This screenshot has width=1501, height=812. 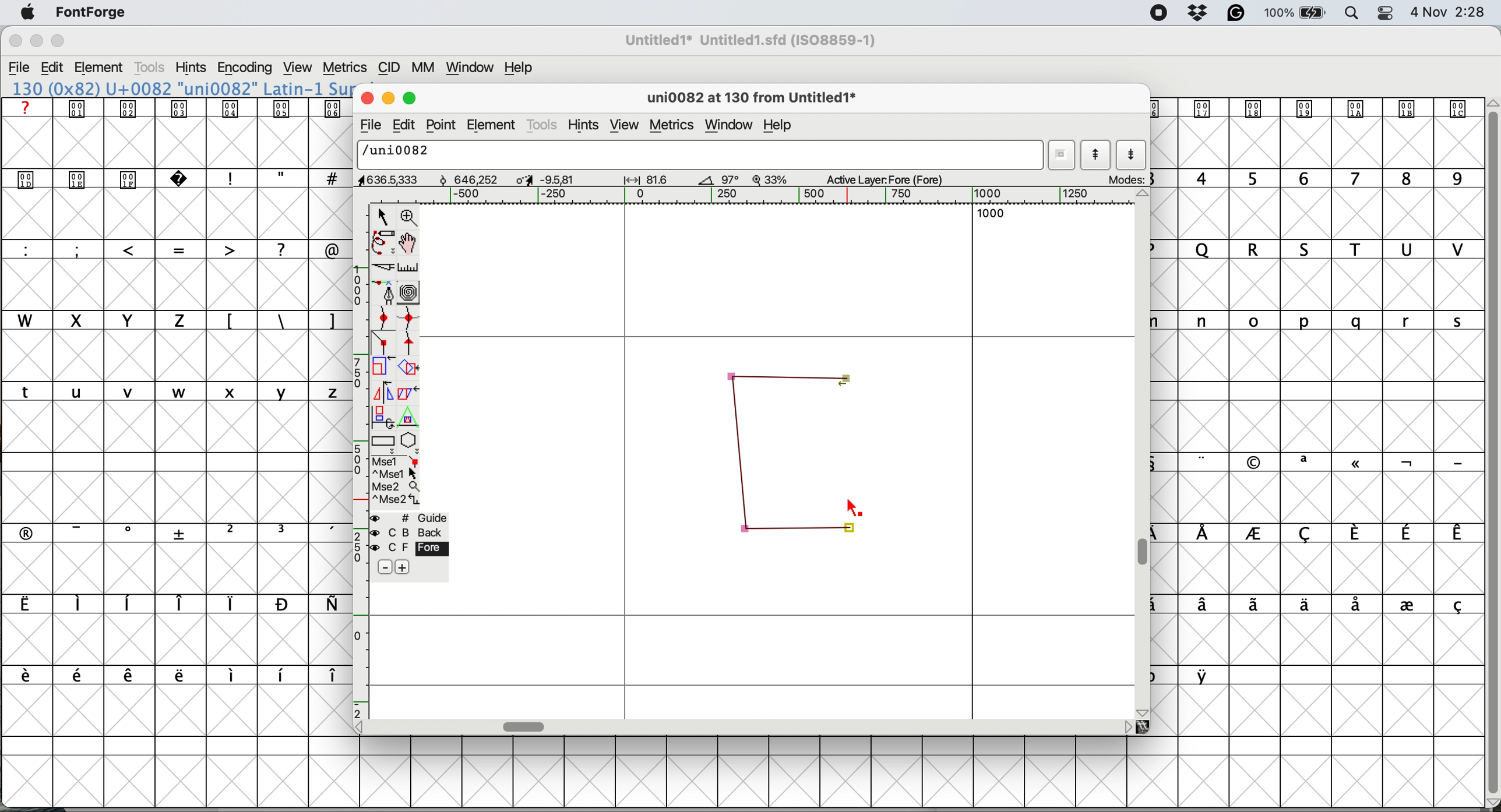 I want to click on rotate the selection in 3d and project back to plane, so click(x=382, y=416).